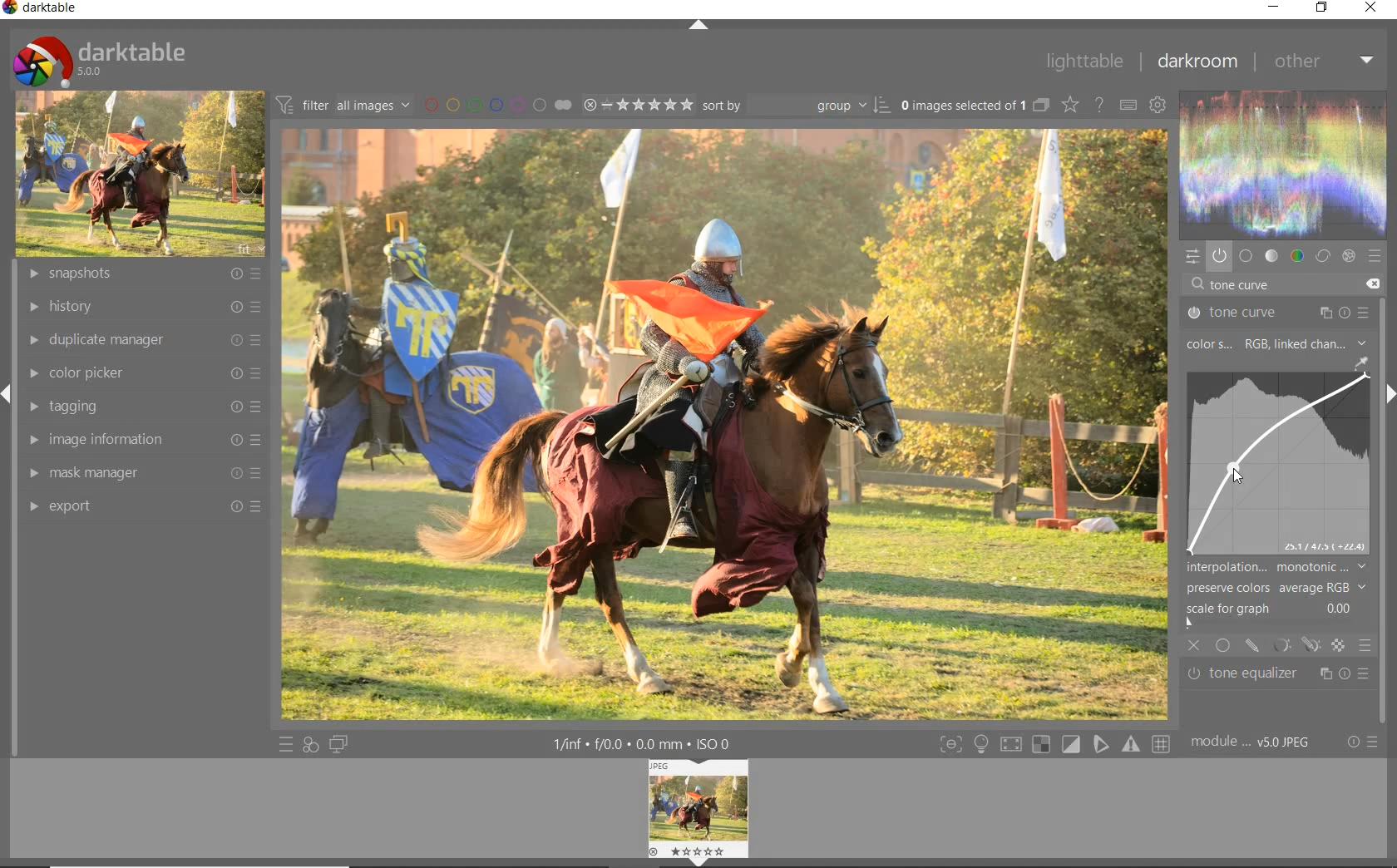  What do you see at coordinates (1275, 345) in the screenshot?
I see `color space` at bounding box center [1275, 345].